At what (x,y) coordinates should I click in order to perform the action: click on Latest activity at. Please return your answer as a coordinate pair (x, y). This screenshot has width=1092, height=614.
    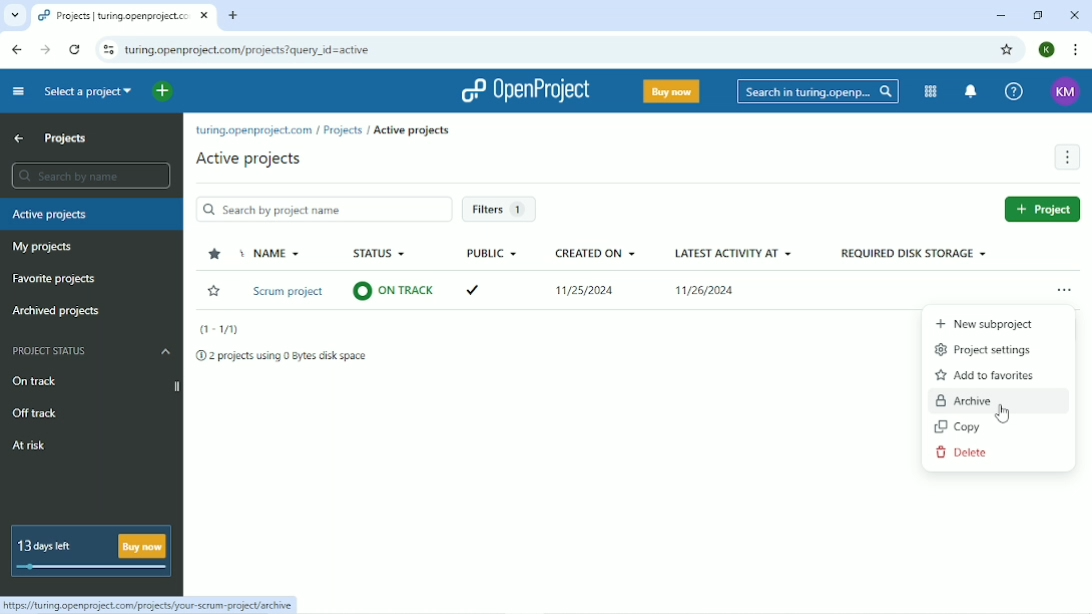
    Looking at the image, I should click on (733, 253).